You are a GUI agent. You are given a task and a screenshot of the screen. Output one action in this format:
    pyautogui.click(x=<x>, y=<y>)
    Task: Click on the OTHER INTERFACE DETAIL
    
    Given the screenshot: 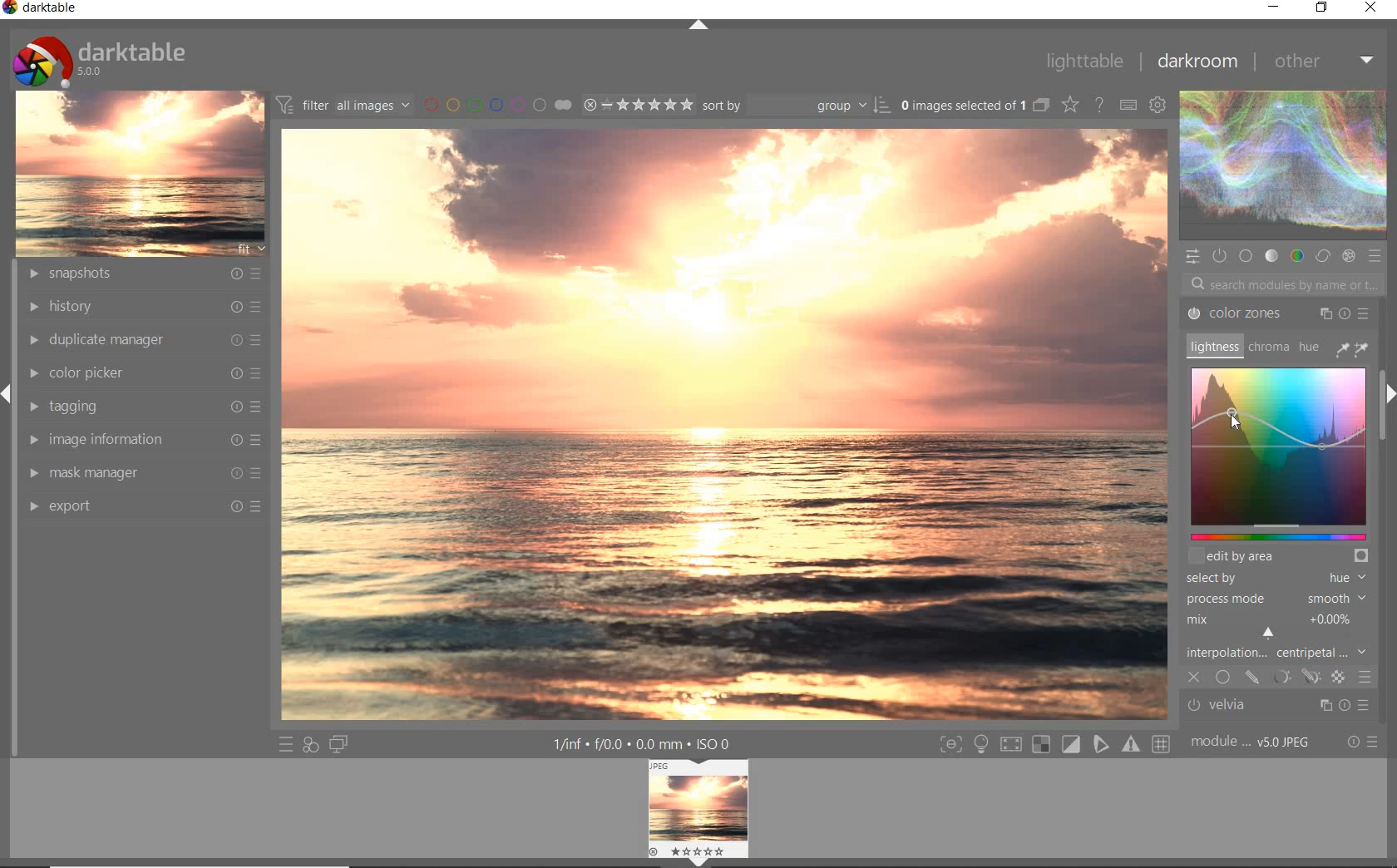 What is the action you would take?
    pyautogui.click(x=645, y=744)
    